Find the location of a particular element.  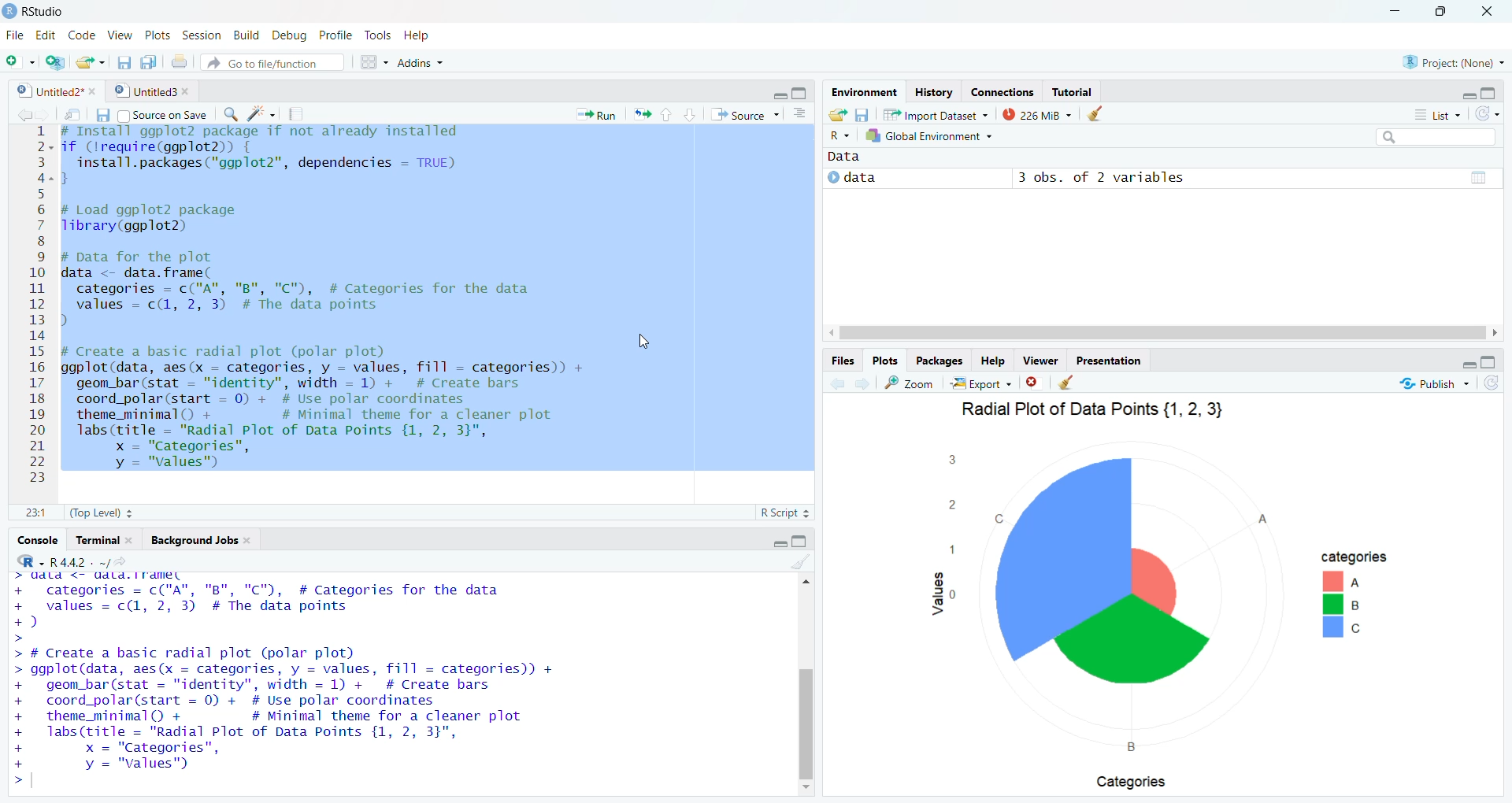

move forward is located at coordinates (45, 116).